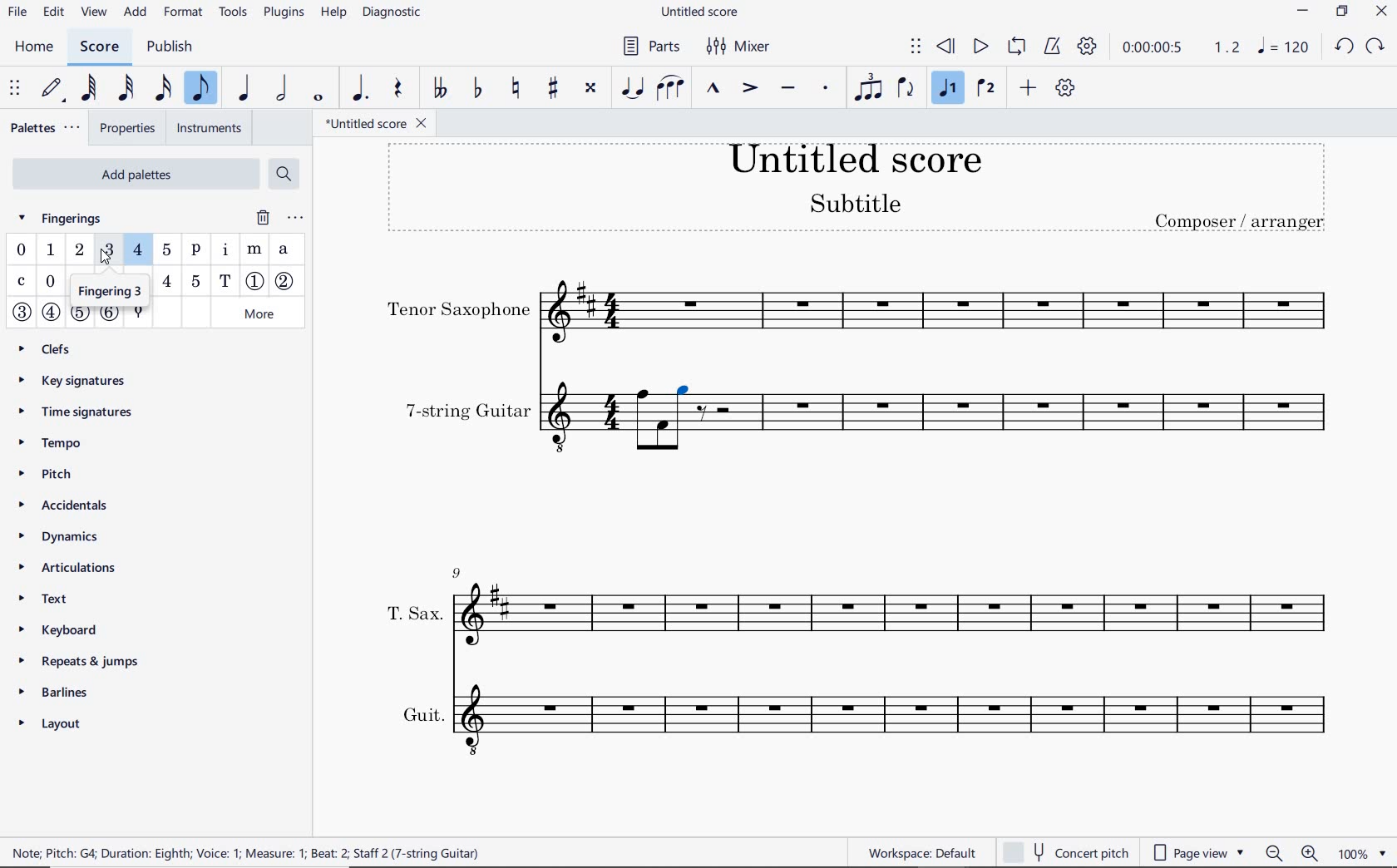 Image resolution: width=1397 pixels, height=868 pixels. What do you see at coordinates (284, 16) in the screenshot?
I see `PLUGINS` at bounding box center [284, 16].